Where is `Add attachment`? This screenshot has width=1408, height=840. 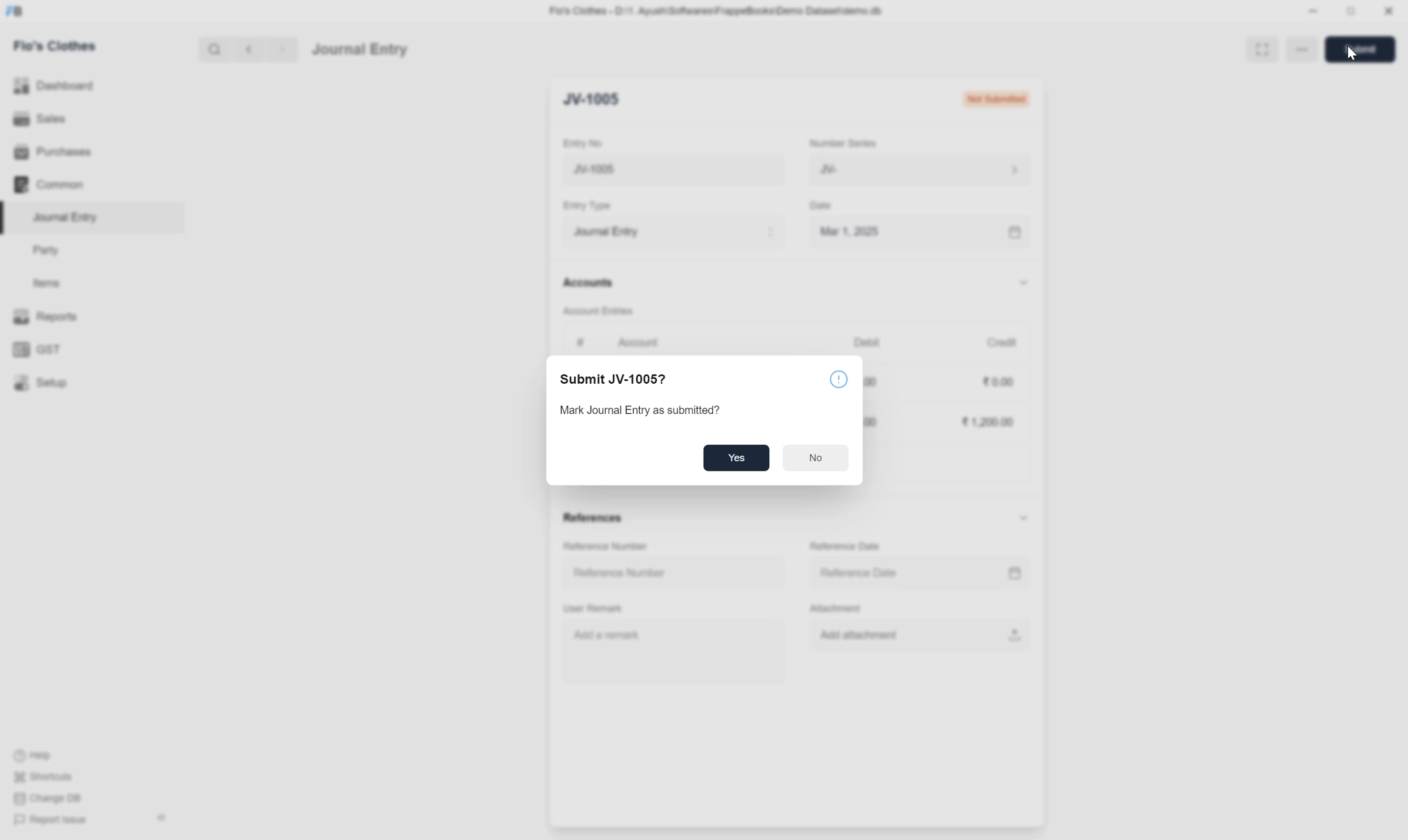
Add attachment is located at coordinates (868, 636).